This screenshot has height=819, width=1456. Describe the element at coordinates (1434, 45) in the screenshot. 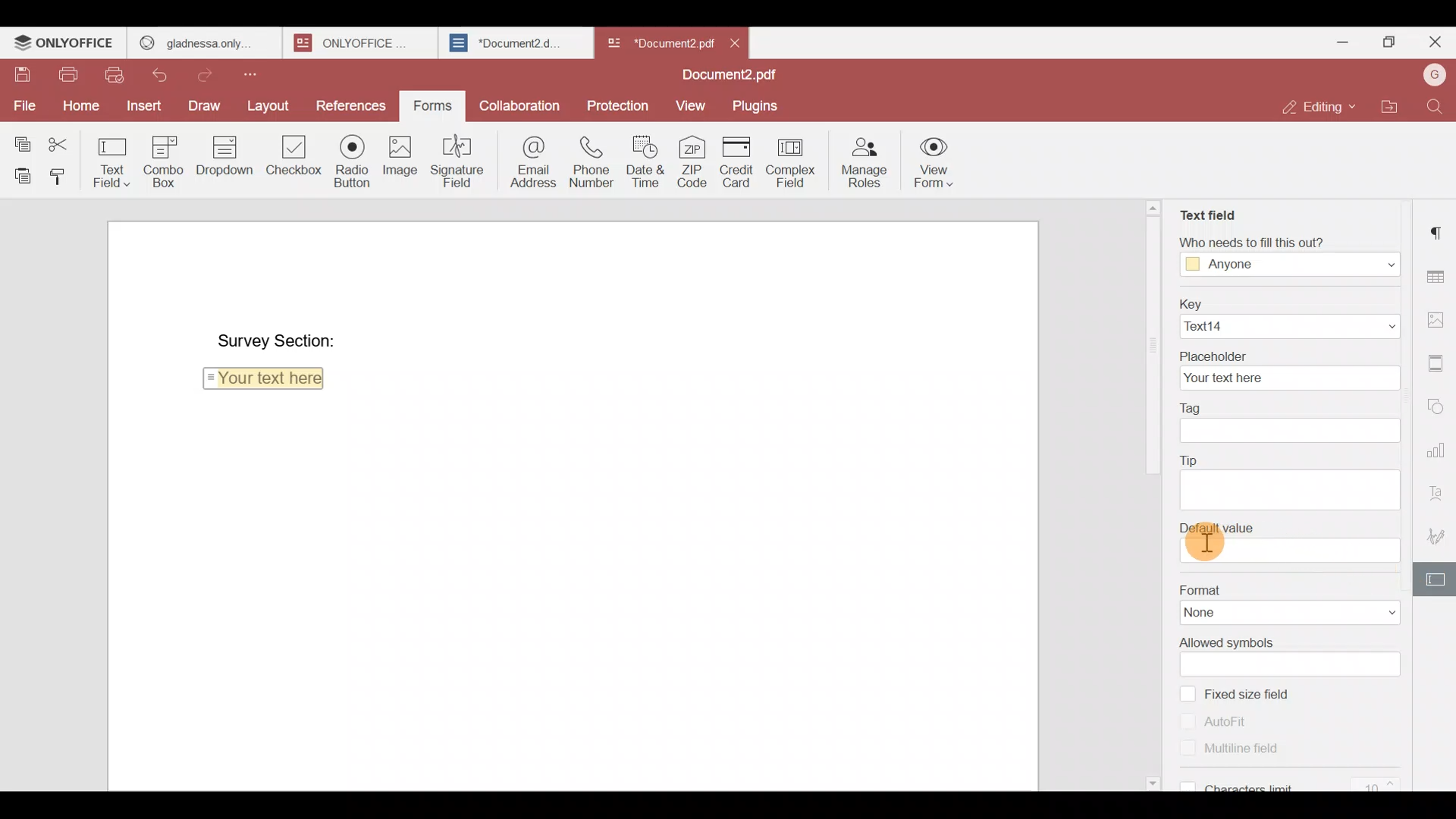

I see `Close` at that location.